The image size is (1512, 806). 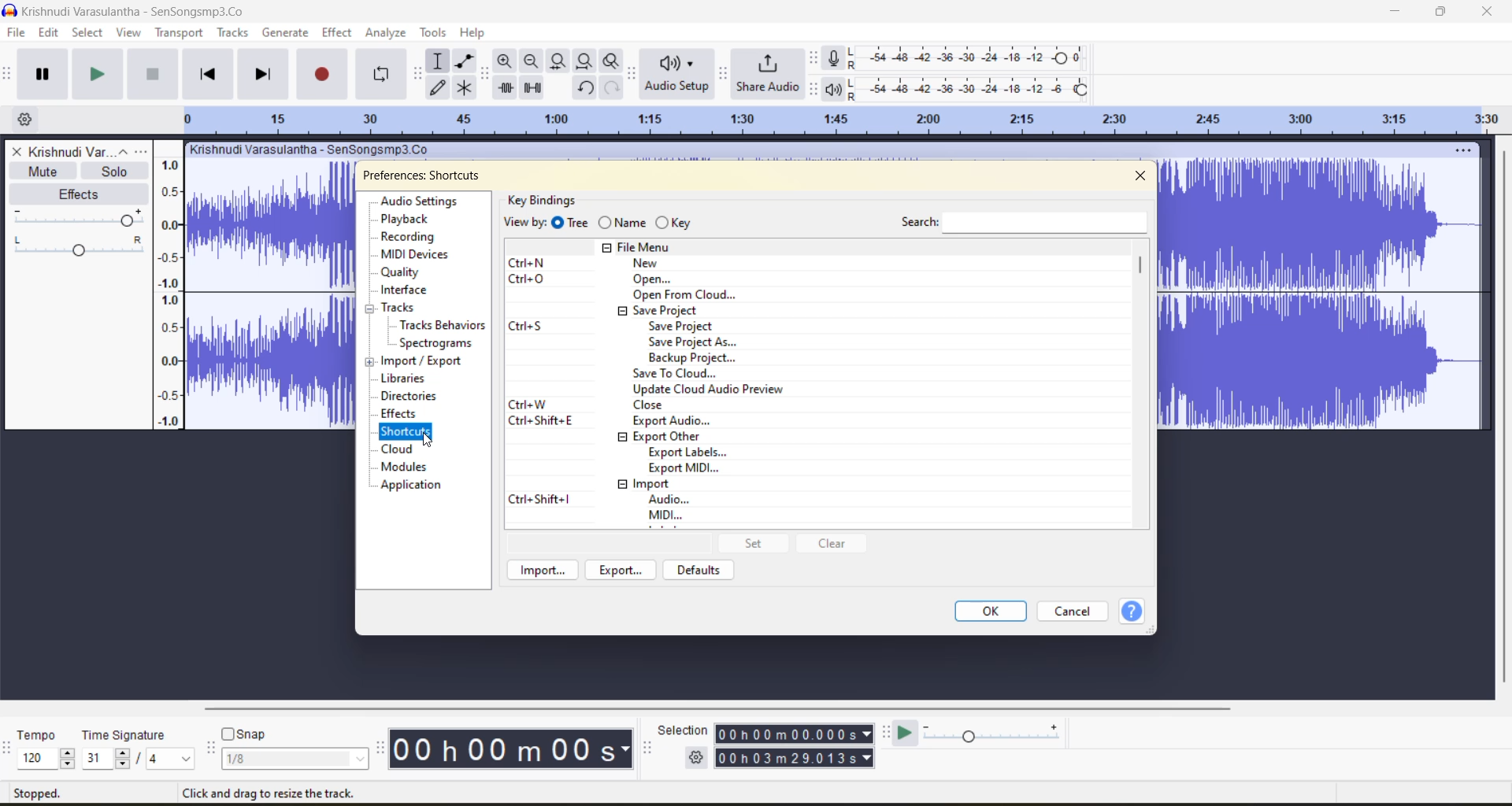 I want to click on fit selection to width, so click(x=557, y=61).